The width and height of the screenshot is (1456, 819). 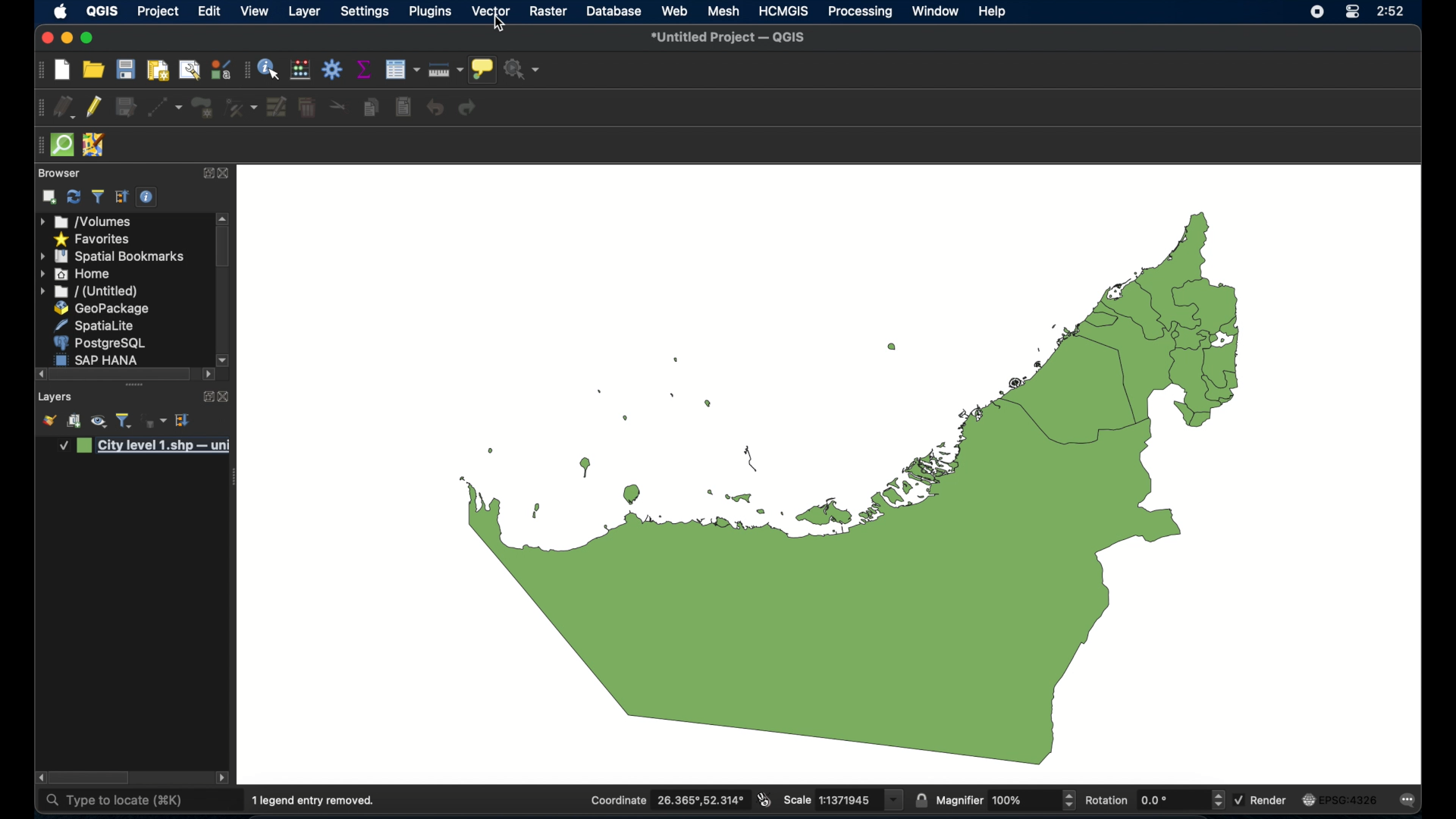 What do you see at coordinates (403, 108) in the screenshot?
I see `paste features` at bounding box center [403, 108].